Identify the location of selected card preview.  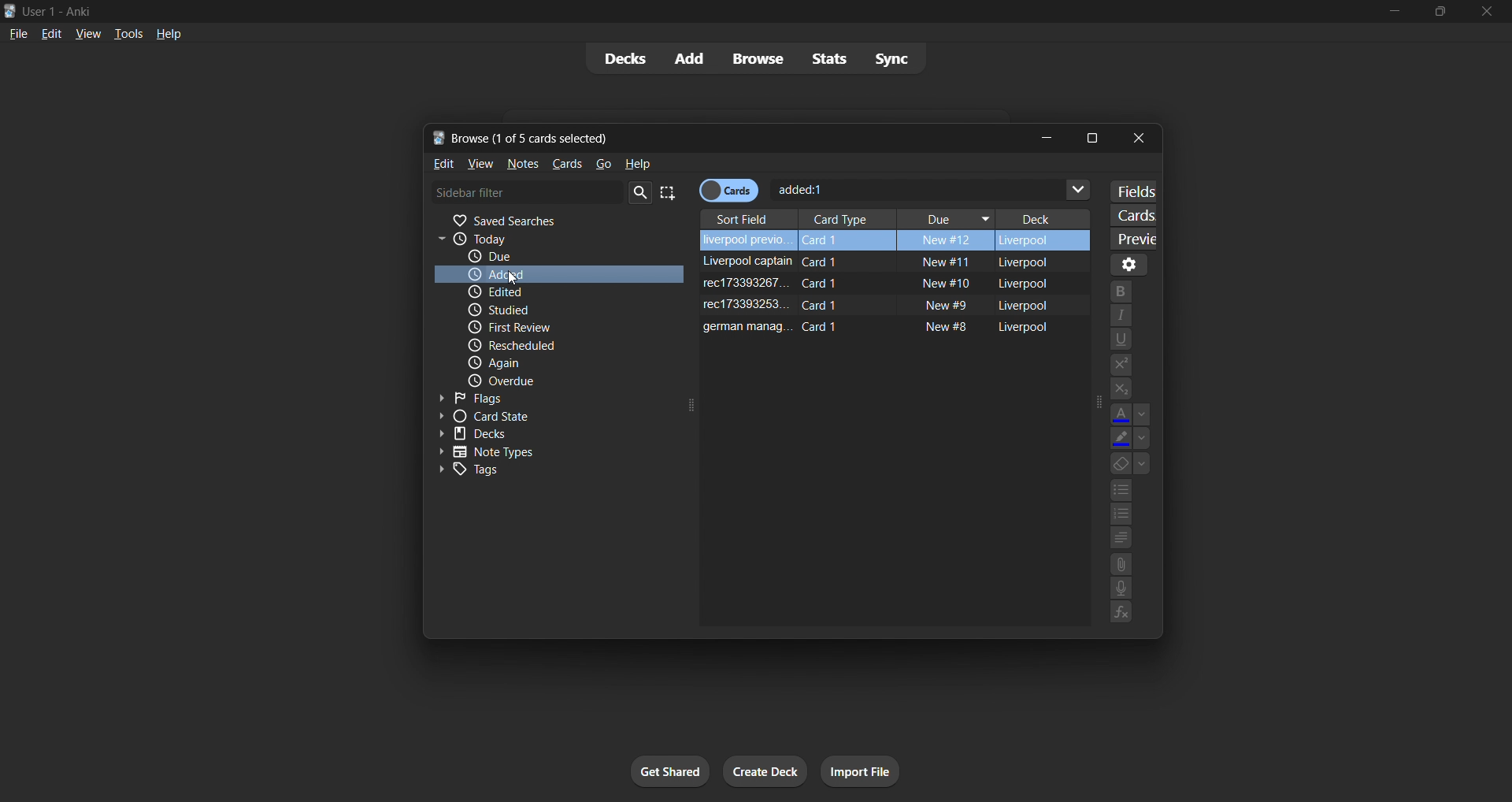
(1131, 236).